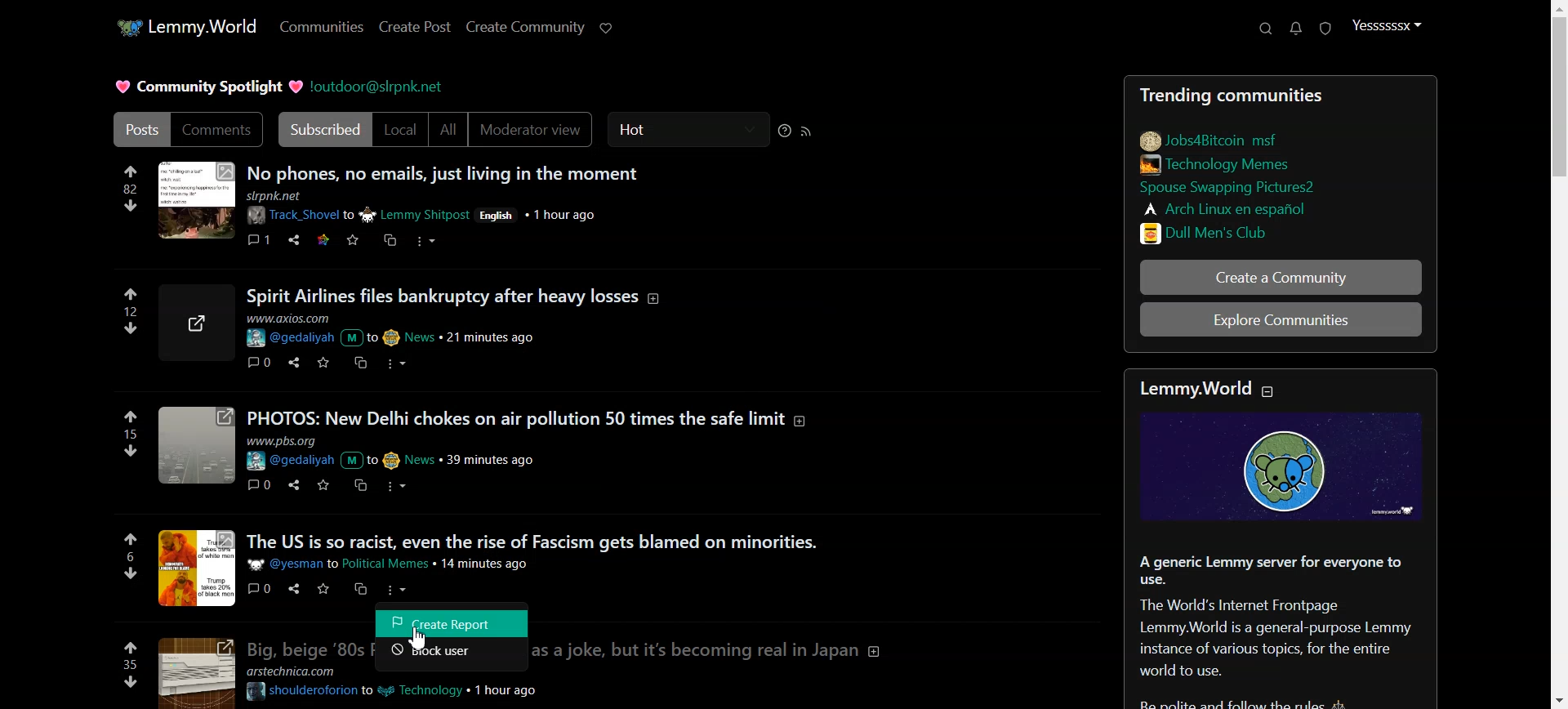  What do you see at coordinates (807, 131) in the screenshot?
I see `RSS` at bounding box center [807, 131].